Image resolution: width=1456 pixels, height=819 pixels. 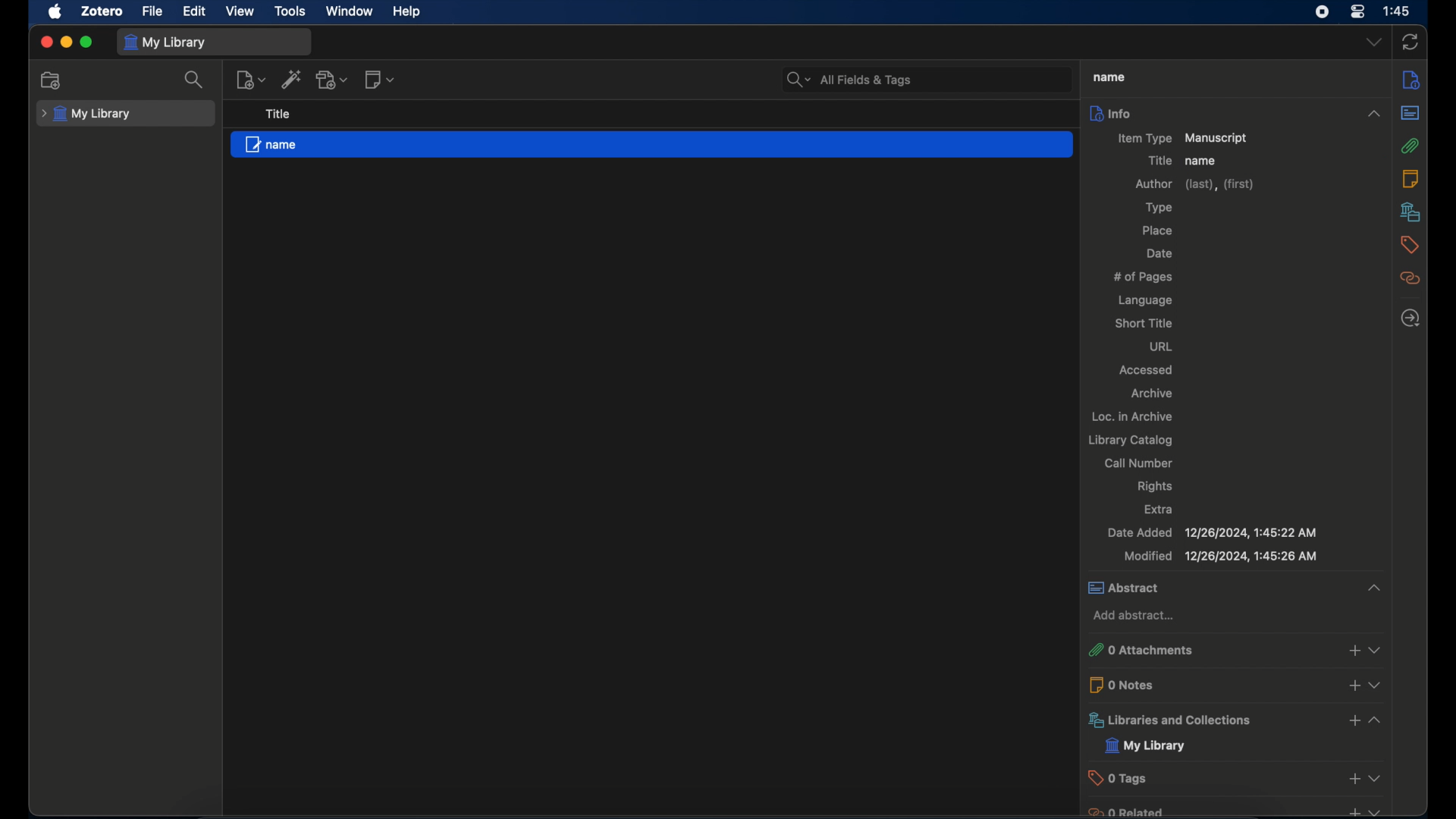 I want to click on libraries, so click(x=1235, y=720).